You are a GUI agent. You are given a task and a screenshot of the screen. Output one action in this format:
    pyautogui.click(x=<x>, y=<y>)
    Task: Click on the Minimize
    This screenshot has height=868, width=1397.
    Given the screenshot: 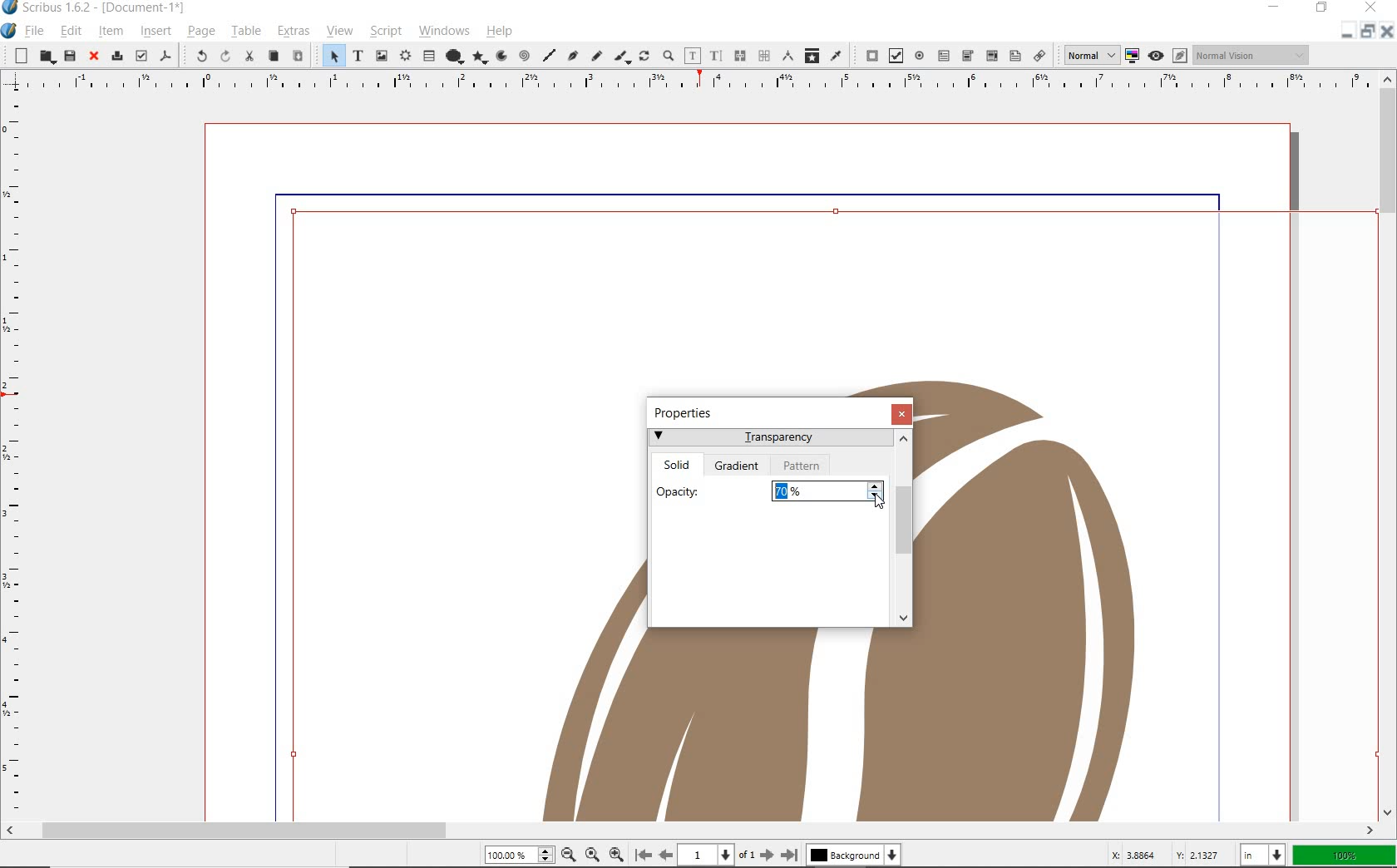 What is the action you would take?
    pyautogui.click(x=1367, y=31)
    